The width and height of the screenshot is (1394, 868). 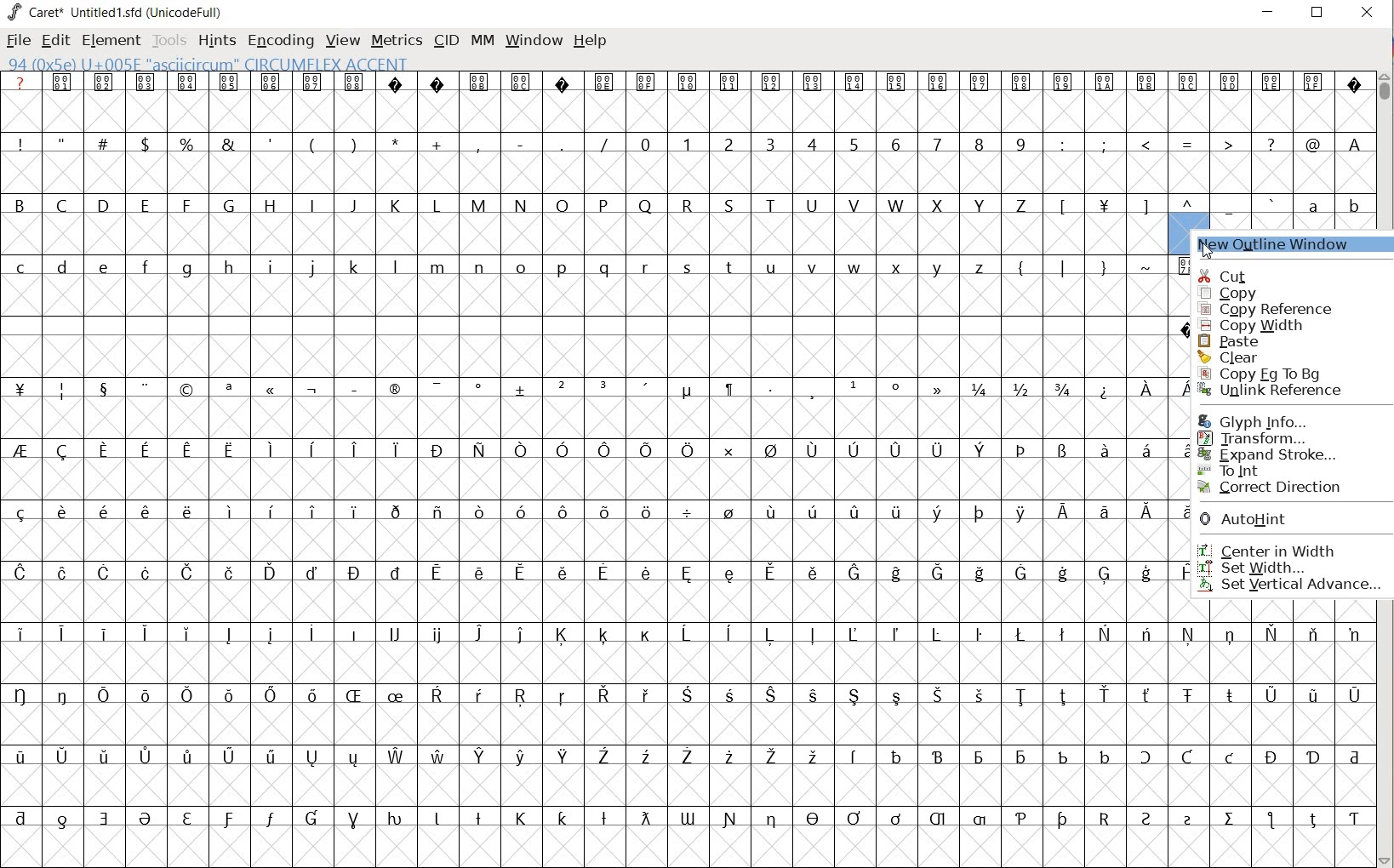 What do you see at coordinates (269, 65) in the screenshot?
I see `94 0xSe U+00SE "asciicircum CIRCUMFLEX ACCENT` at bounding box center [269, 65].